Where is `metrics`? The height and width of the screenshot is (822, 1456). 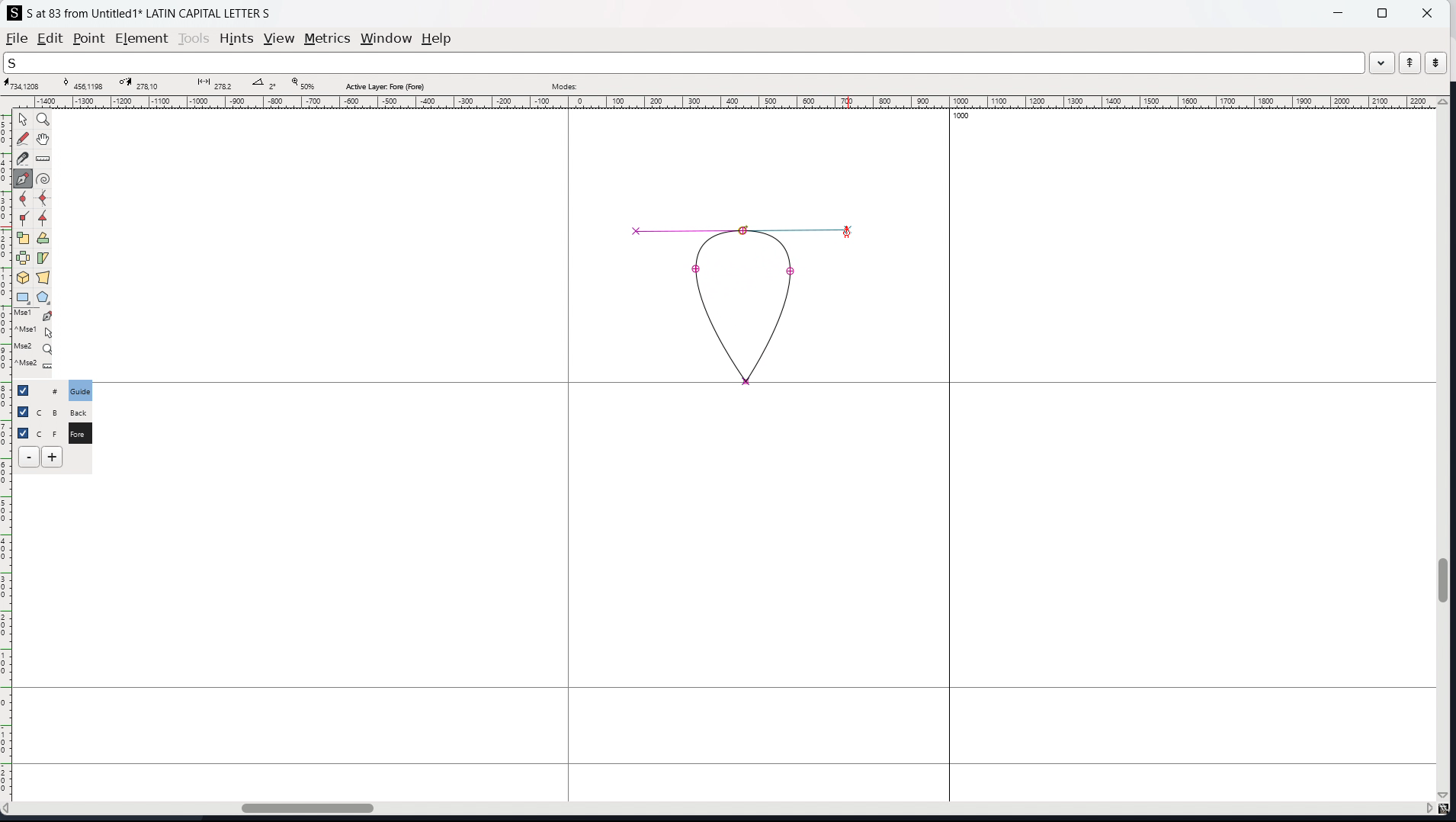
metrics is located at coordinates (327, 38).